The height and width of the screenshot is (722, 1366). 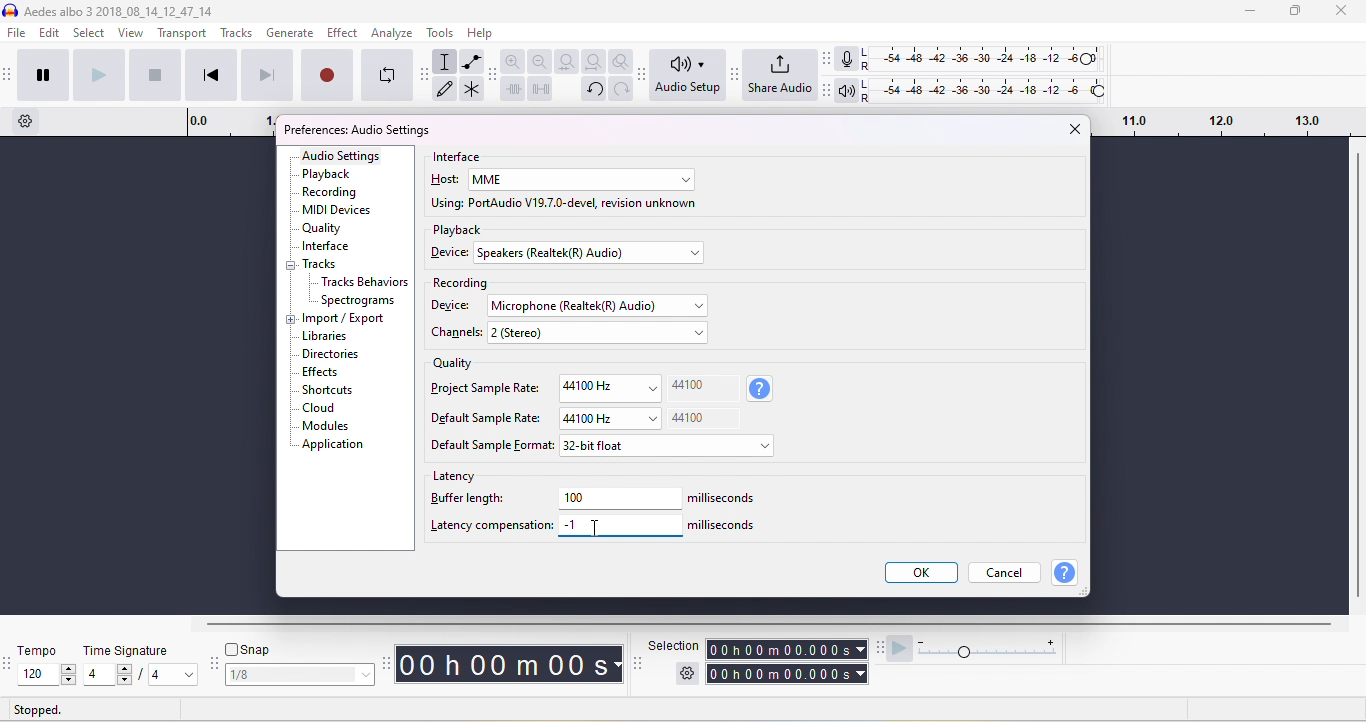 I want to click on help, so click(x=480, y=32).